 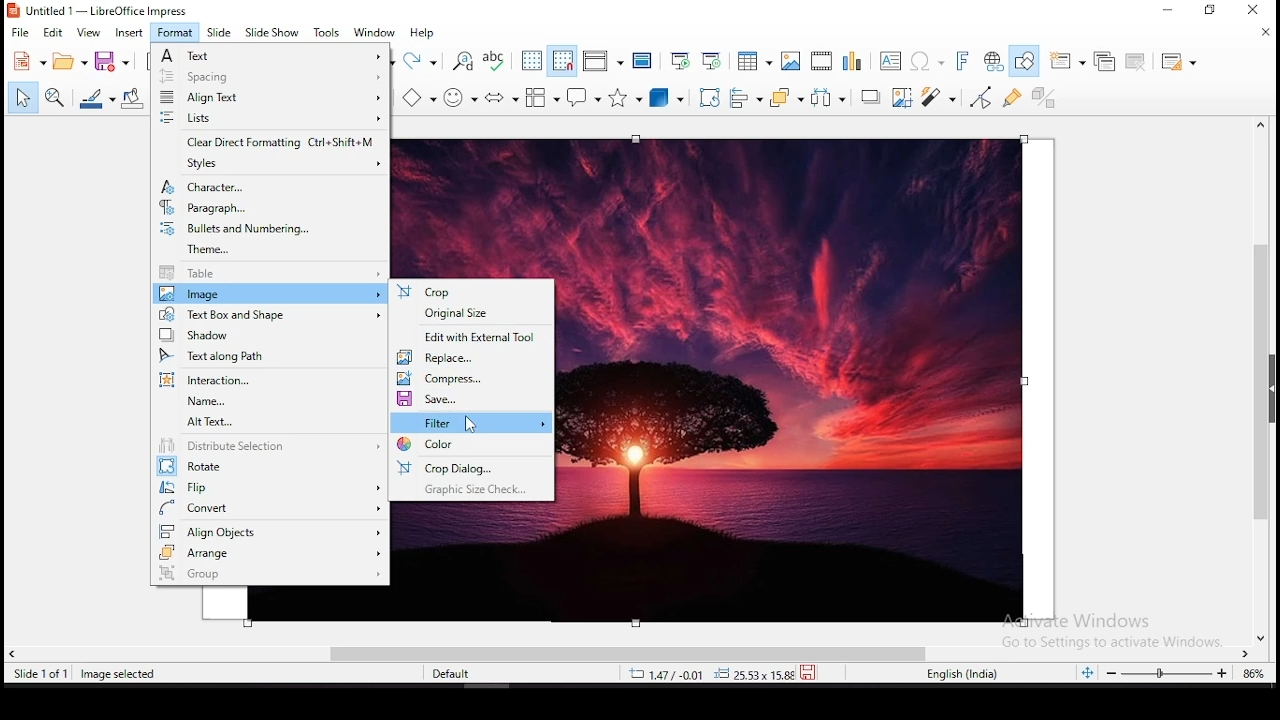 I want to click on arrange, so click(x=785, y=98).